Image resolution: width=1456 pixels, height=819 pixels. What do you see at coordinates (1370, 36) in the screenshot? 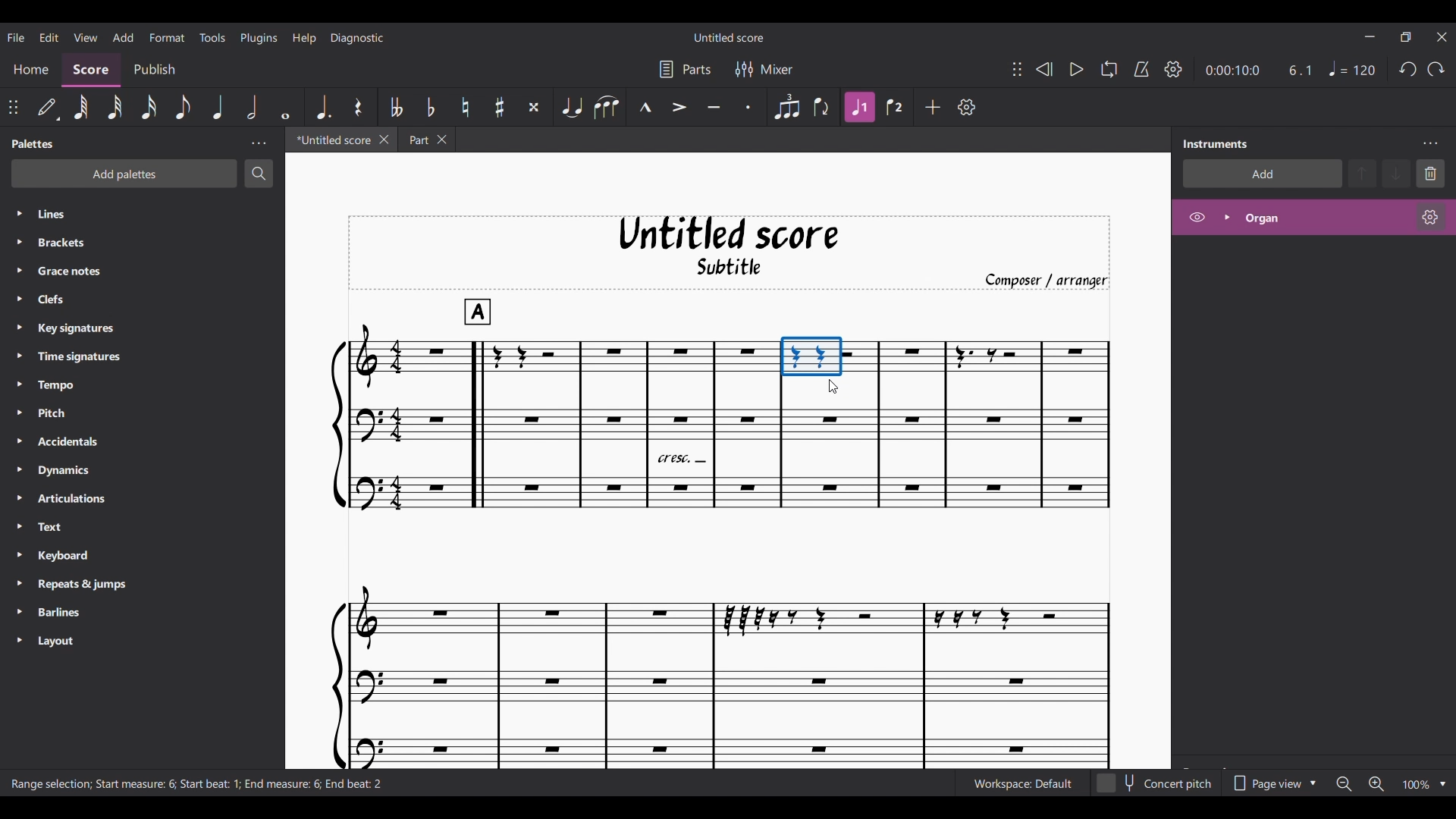
I see `Minimize` at bounding box center [1370, 36].